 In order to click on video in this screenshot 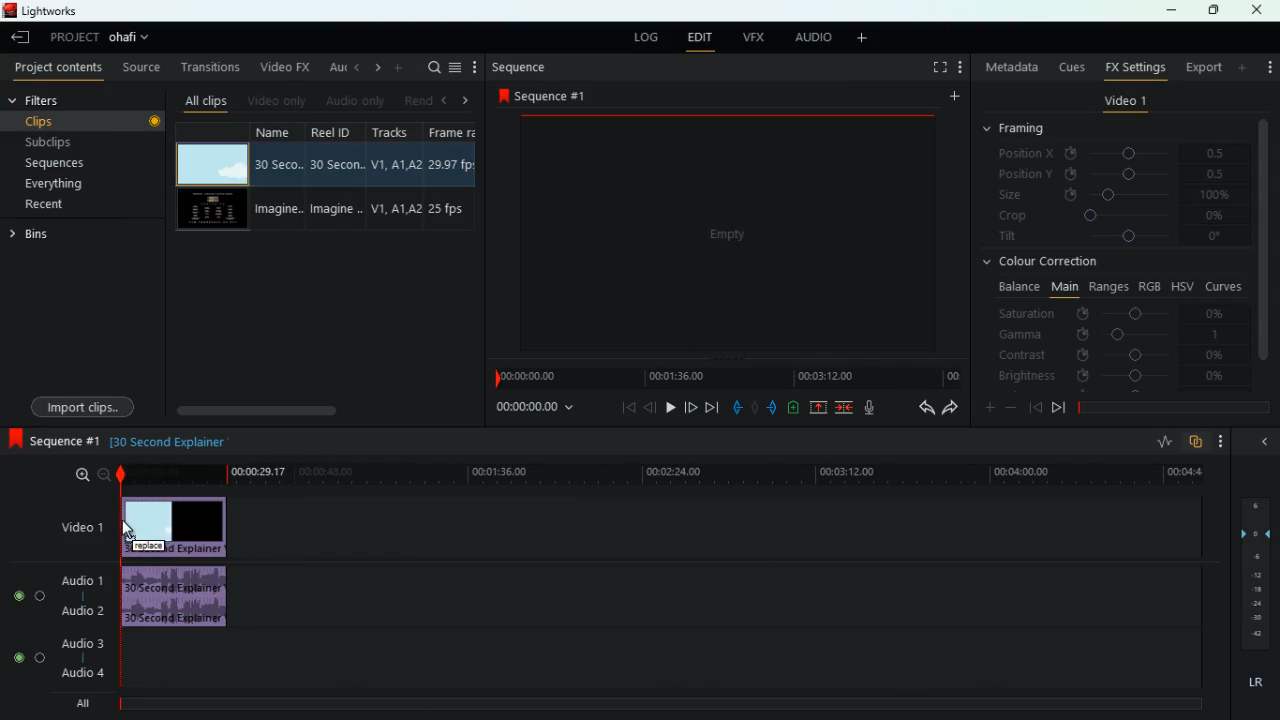, I will do `click(211, 164)`.